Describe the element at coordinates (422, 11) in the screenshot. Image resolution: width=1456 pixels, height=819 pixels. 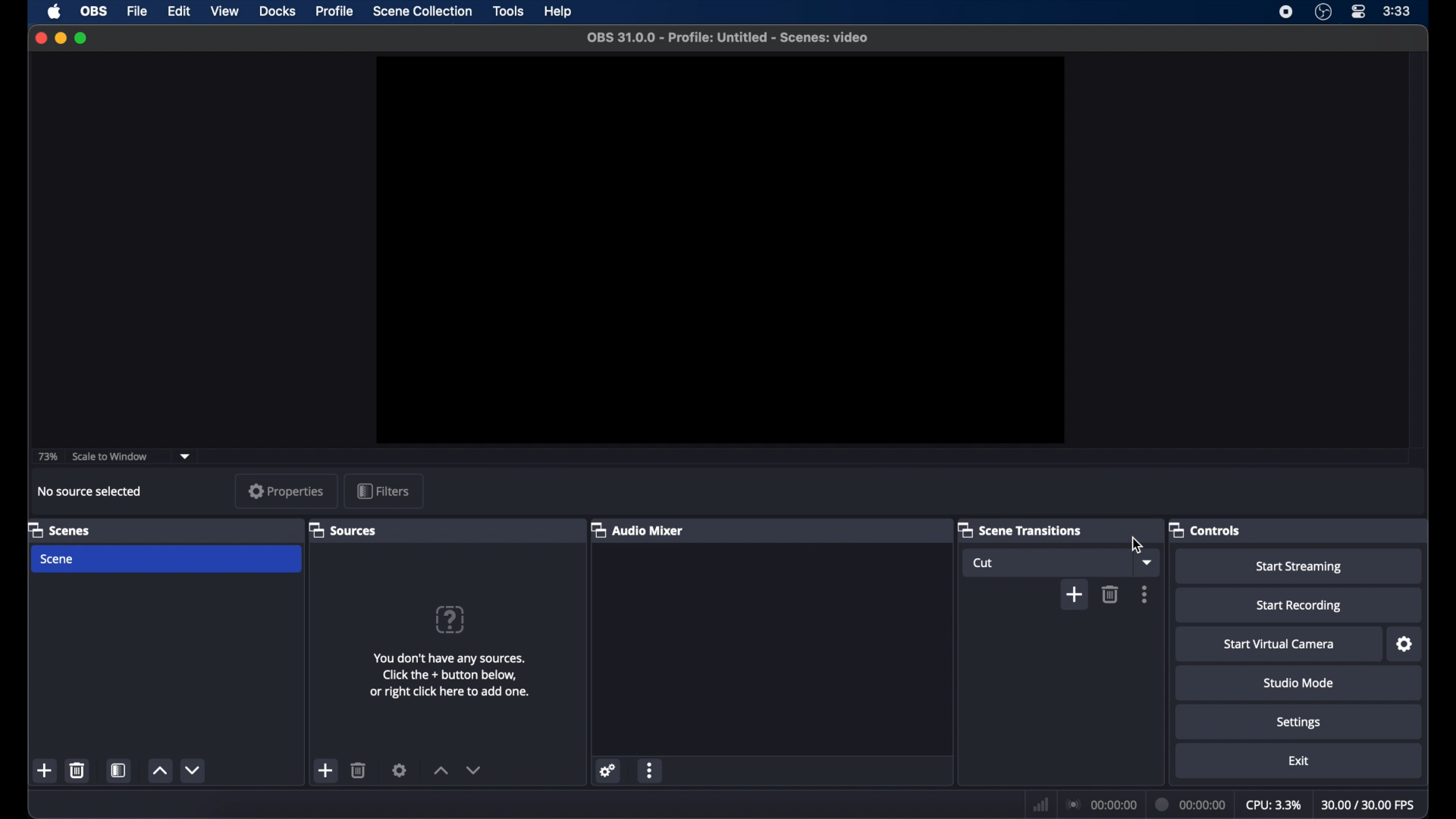
I see `scene collection` at that location.